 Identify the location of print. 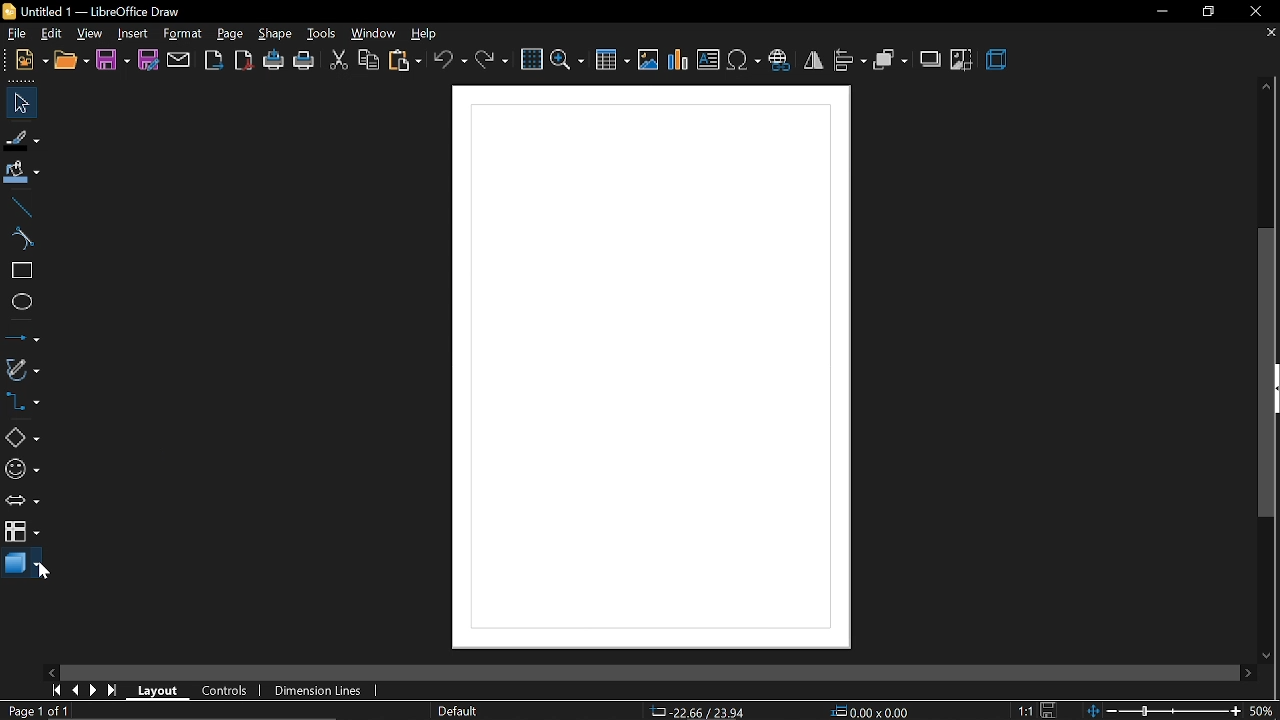
(305, 61).